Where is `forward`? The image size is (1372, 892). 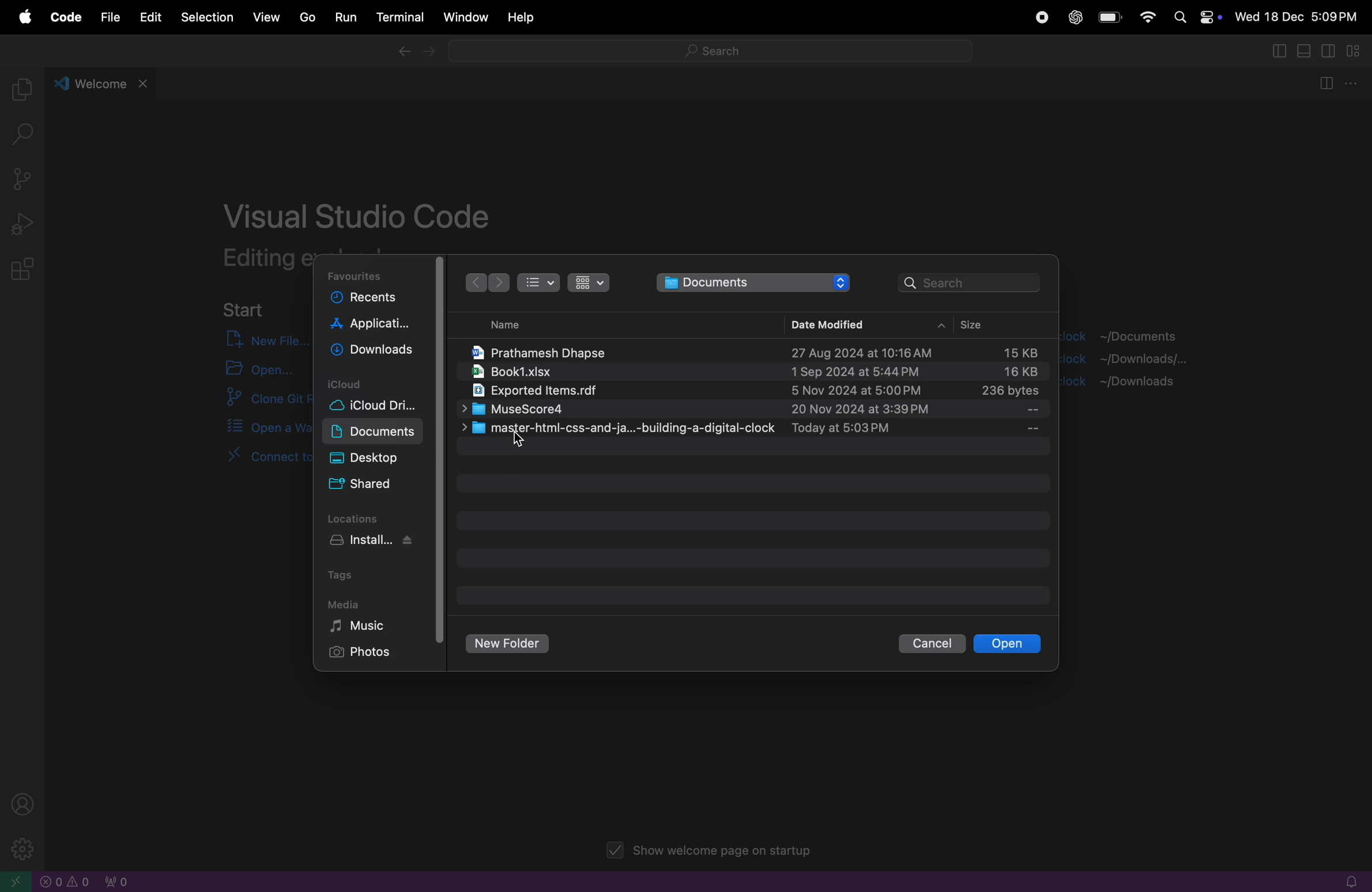
forward is located at coordinates (431, 54).